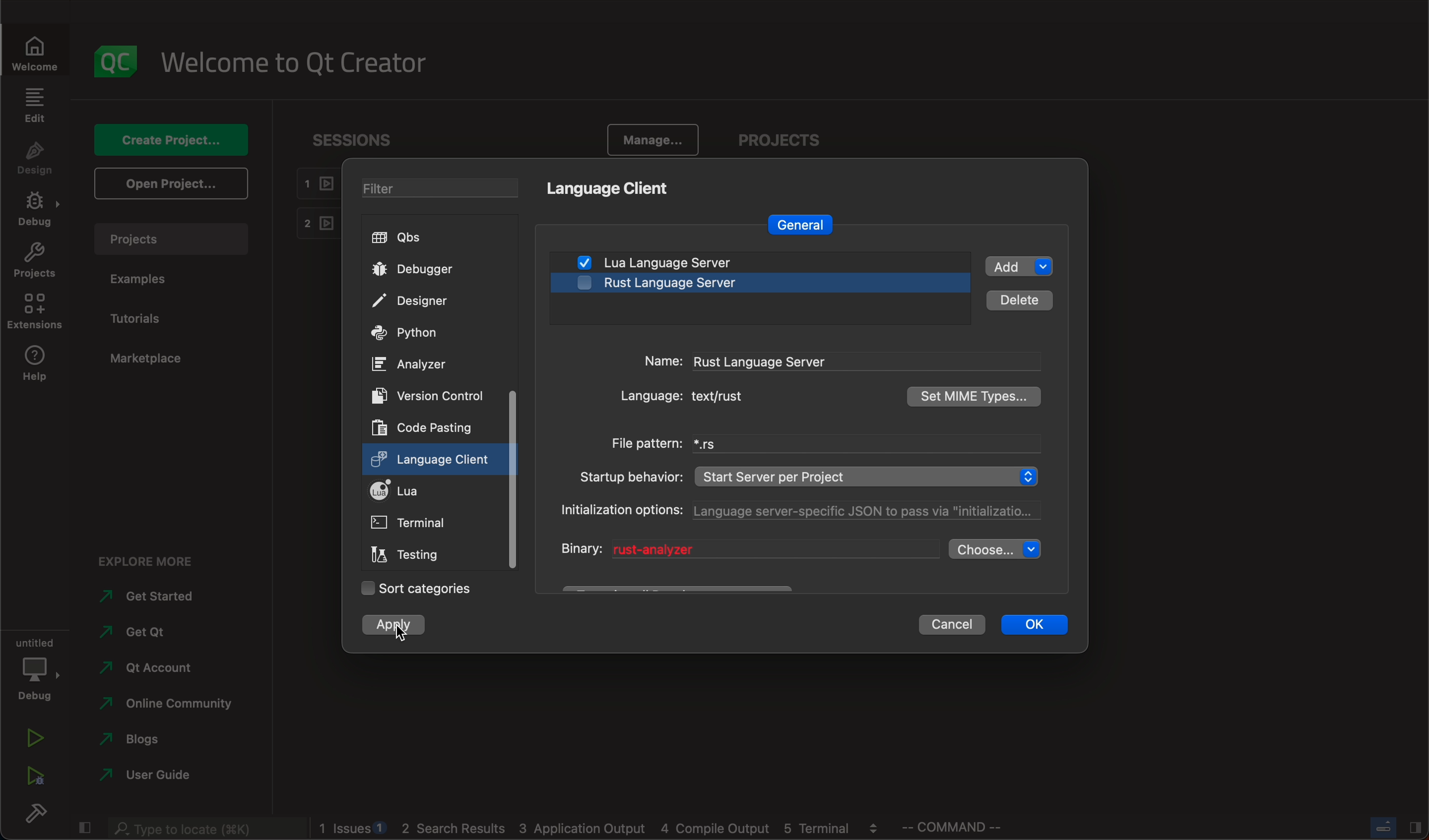 The width and height of the screenshot is (1429, 840). Describe the element at coordinates (412, 239) in the screenshot. I see `qbs` at that location.